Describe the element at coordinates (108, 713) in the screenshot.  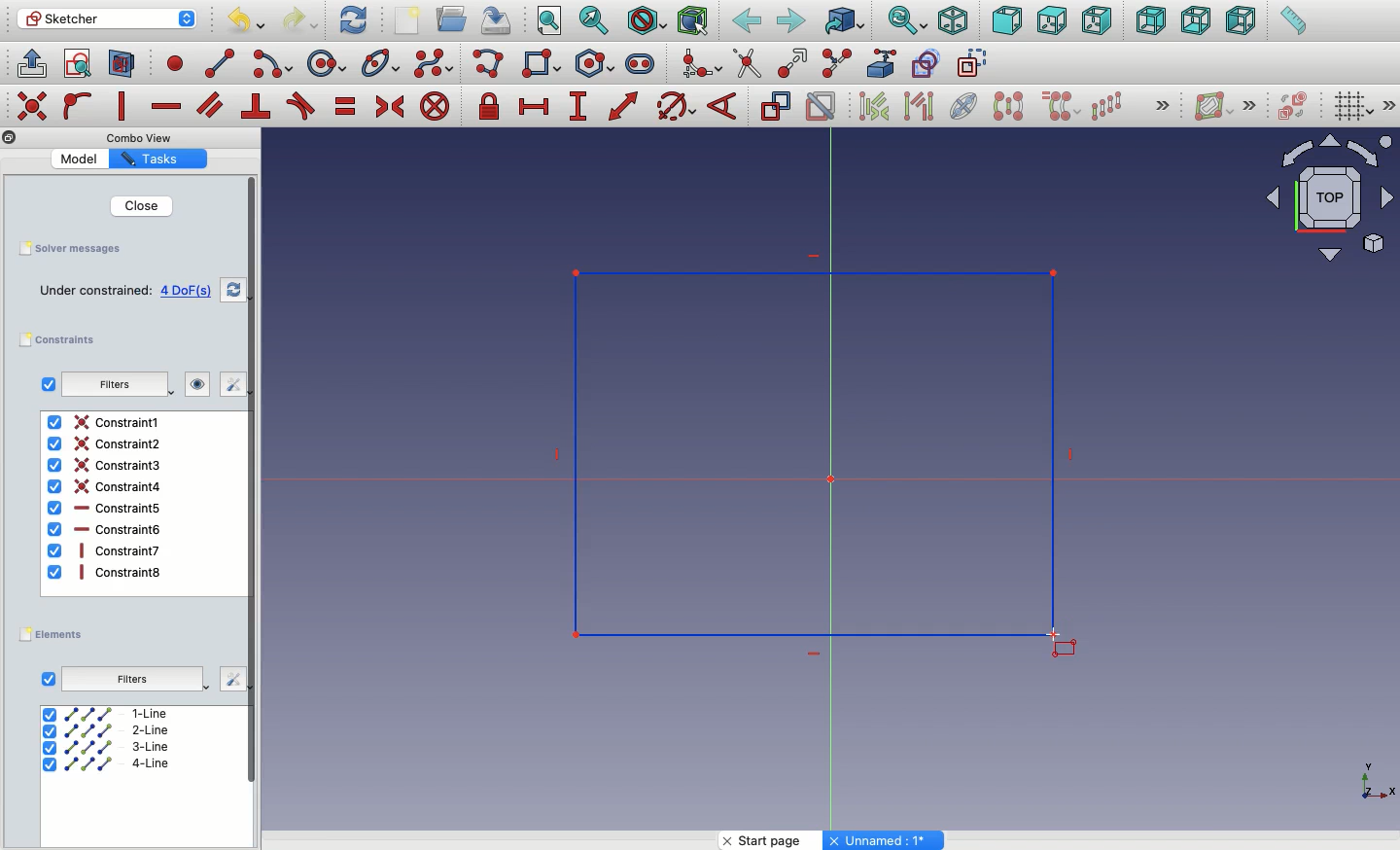
I see `1-line` at that location.